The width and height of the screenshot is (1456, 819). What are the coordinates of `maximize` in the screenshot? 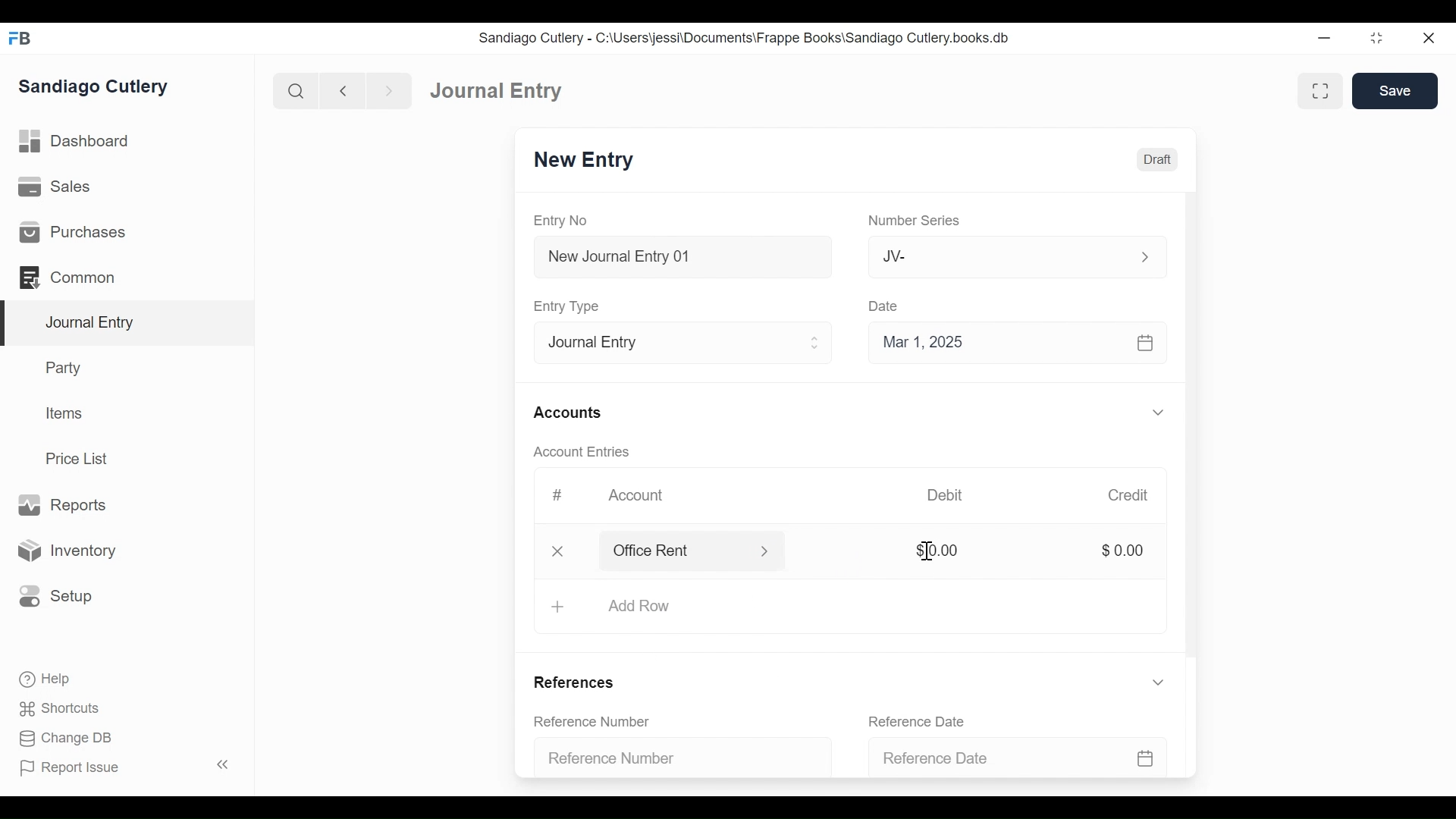 It's located at (1378, 37).